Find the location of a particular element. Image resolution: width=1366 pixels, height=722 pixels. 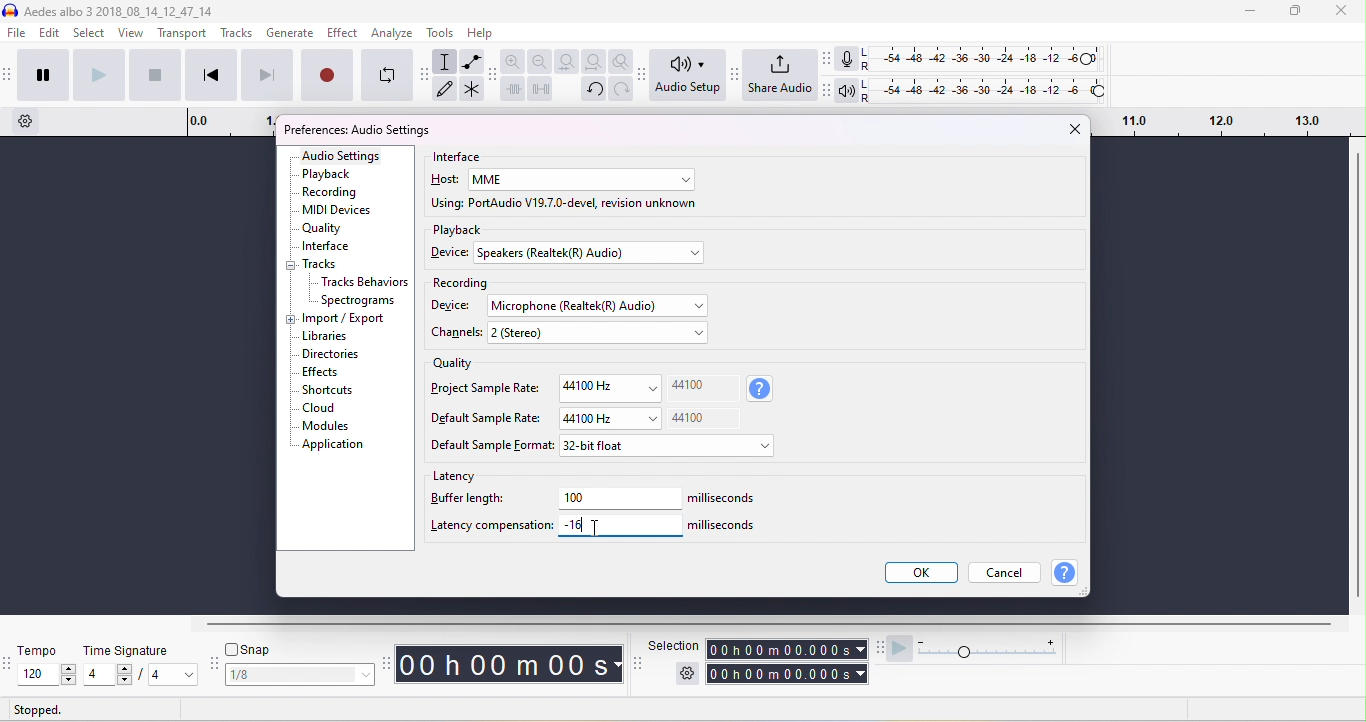

audacity transport toolbar is located at coordinates (9, 74).